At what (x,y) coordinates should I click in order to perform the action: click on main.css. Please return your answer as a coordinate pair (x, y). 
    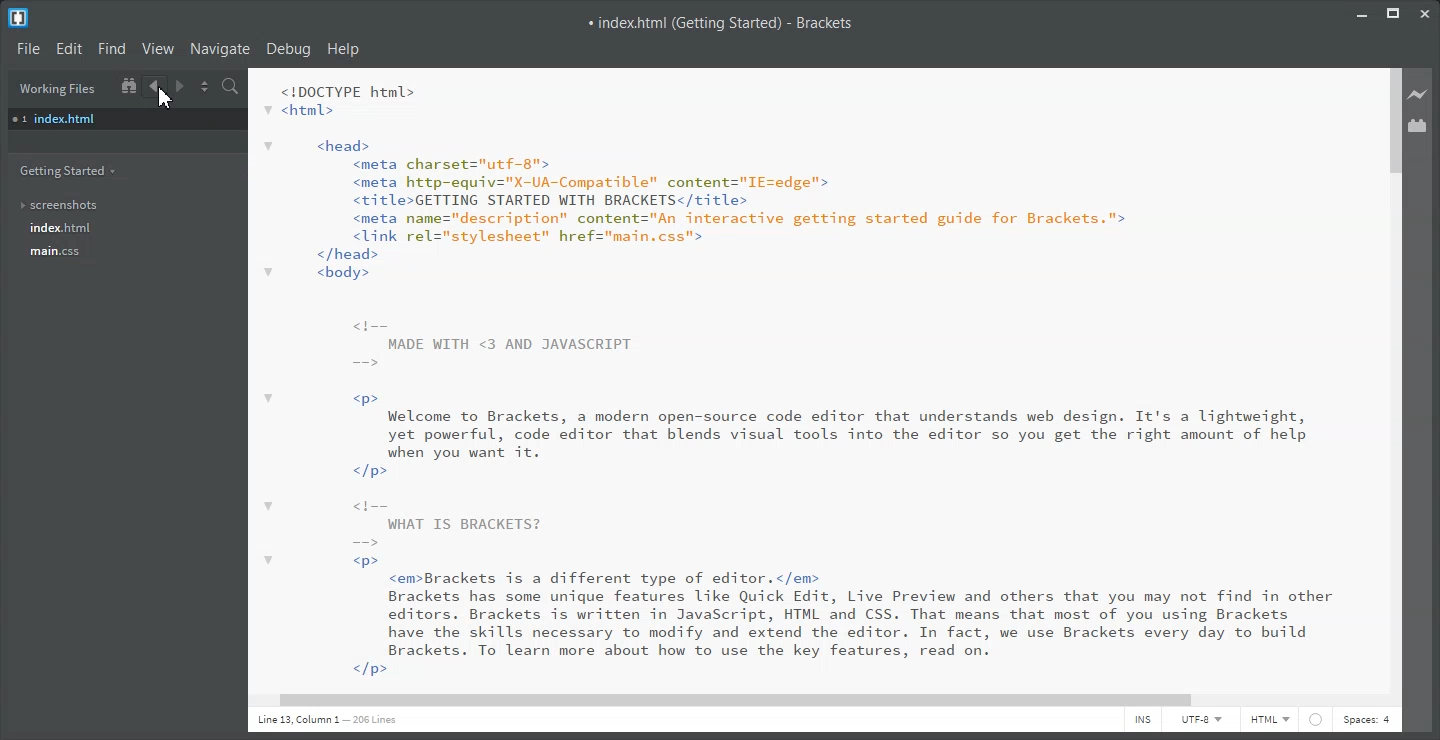
    Looking at the image, I should click on (53, 252).